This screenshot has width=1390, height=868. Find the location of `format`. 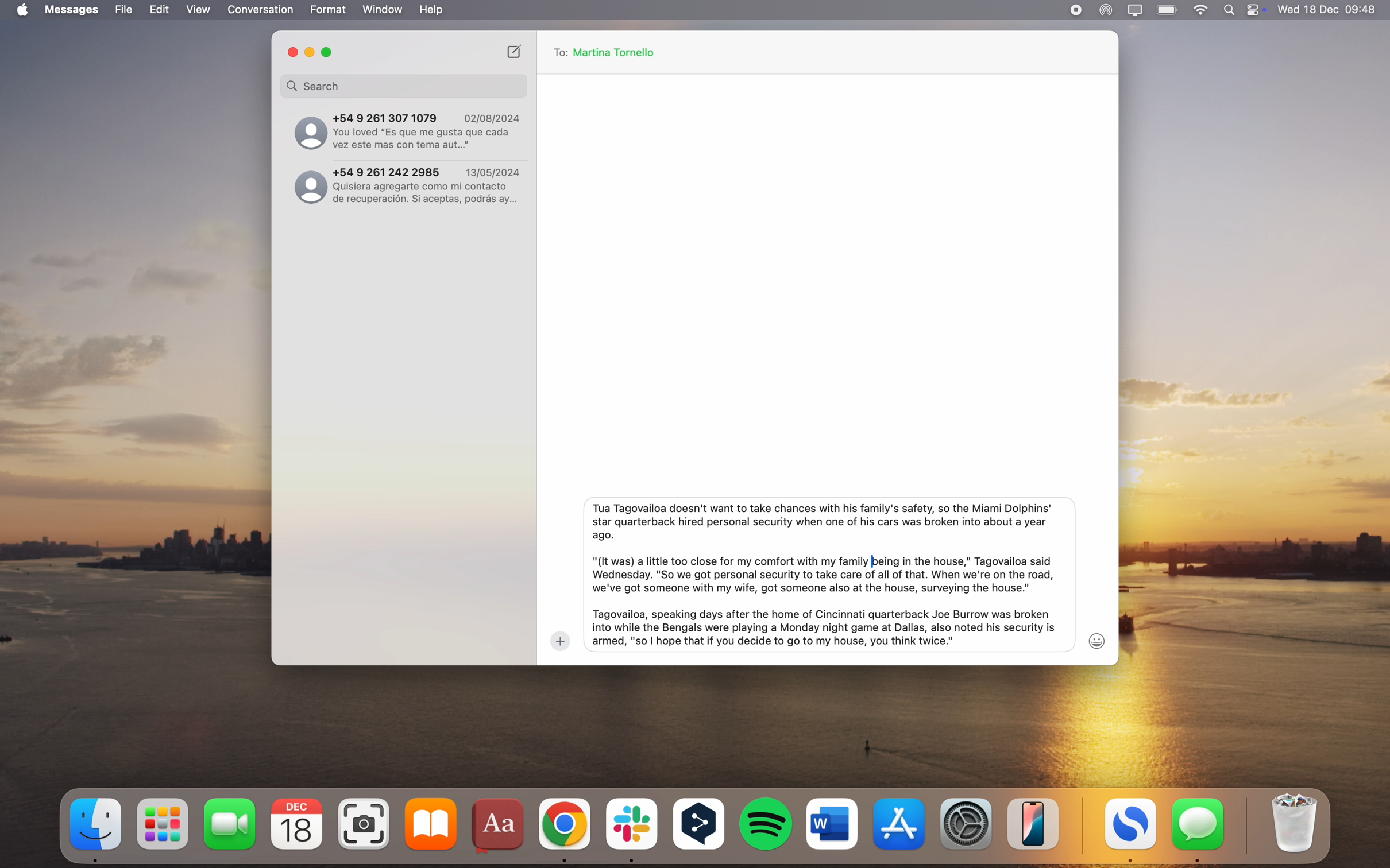

format is located at coordinates (329, 10).